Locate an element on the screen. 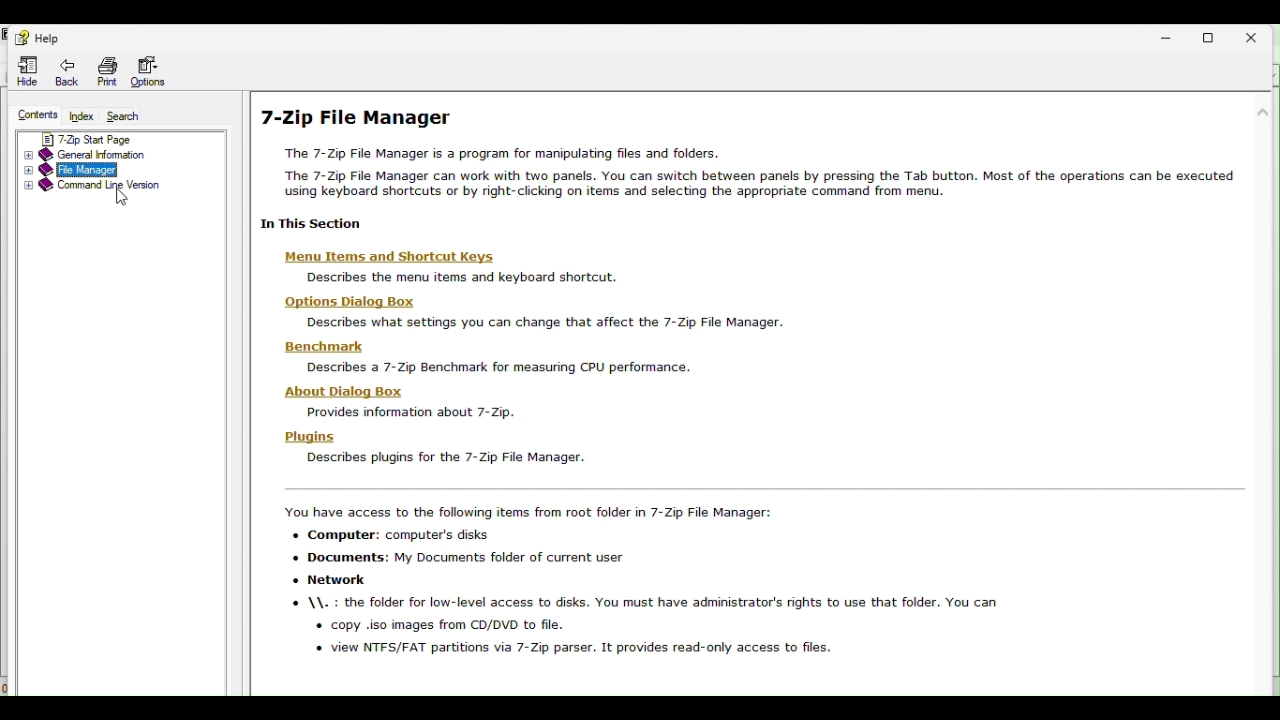 This screenshot has width=1280, height=720. Describes plugins for the 7-zip File Manager. is located at coordinates (445, 457).